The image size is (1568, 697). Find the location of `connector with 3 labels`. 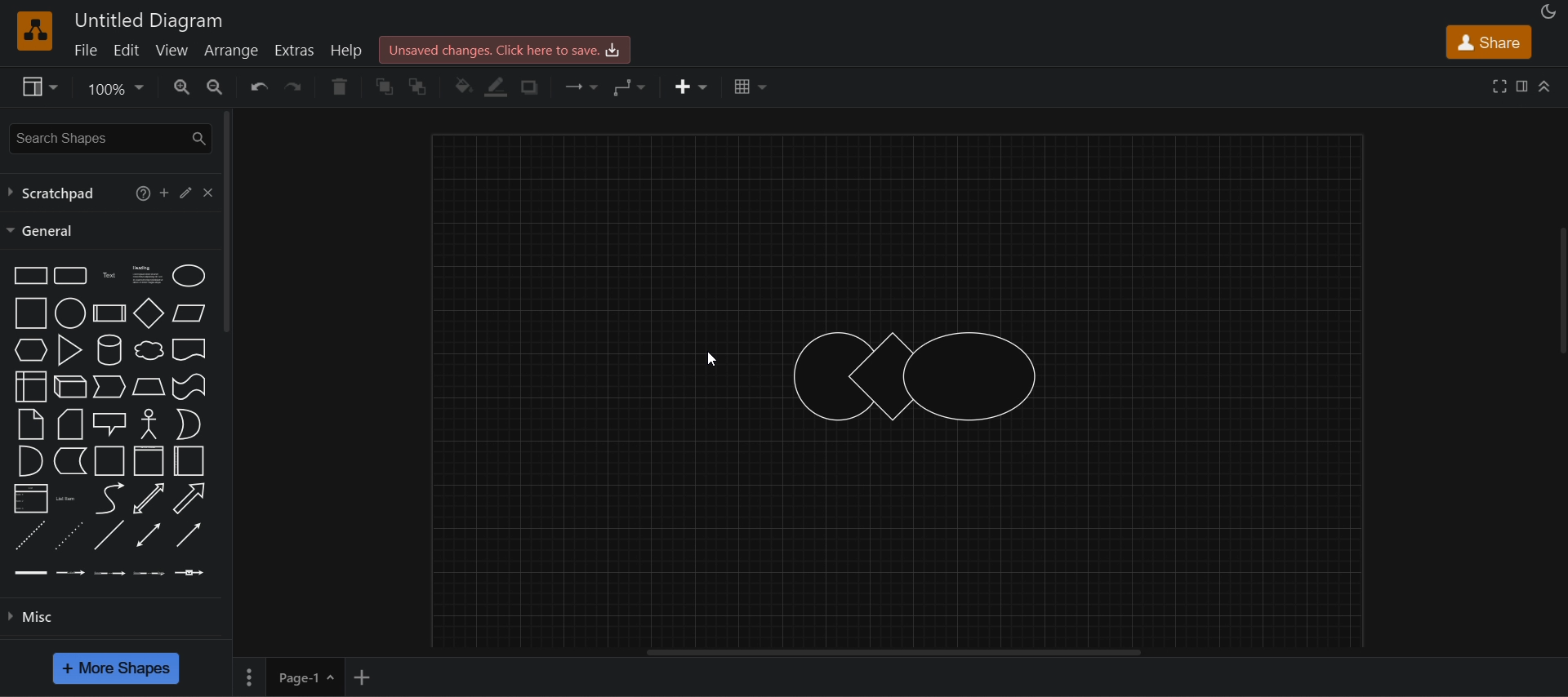

connector with 3 labels is located at coordinates (149, 571).